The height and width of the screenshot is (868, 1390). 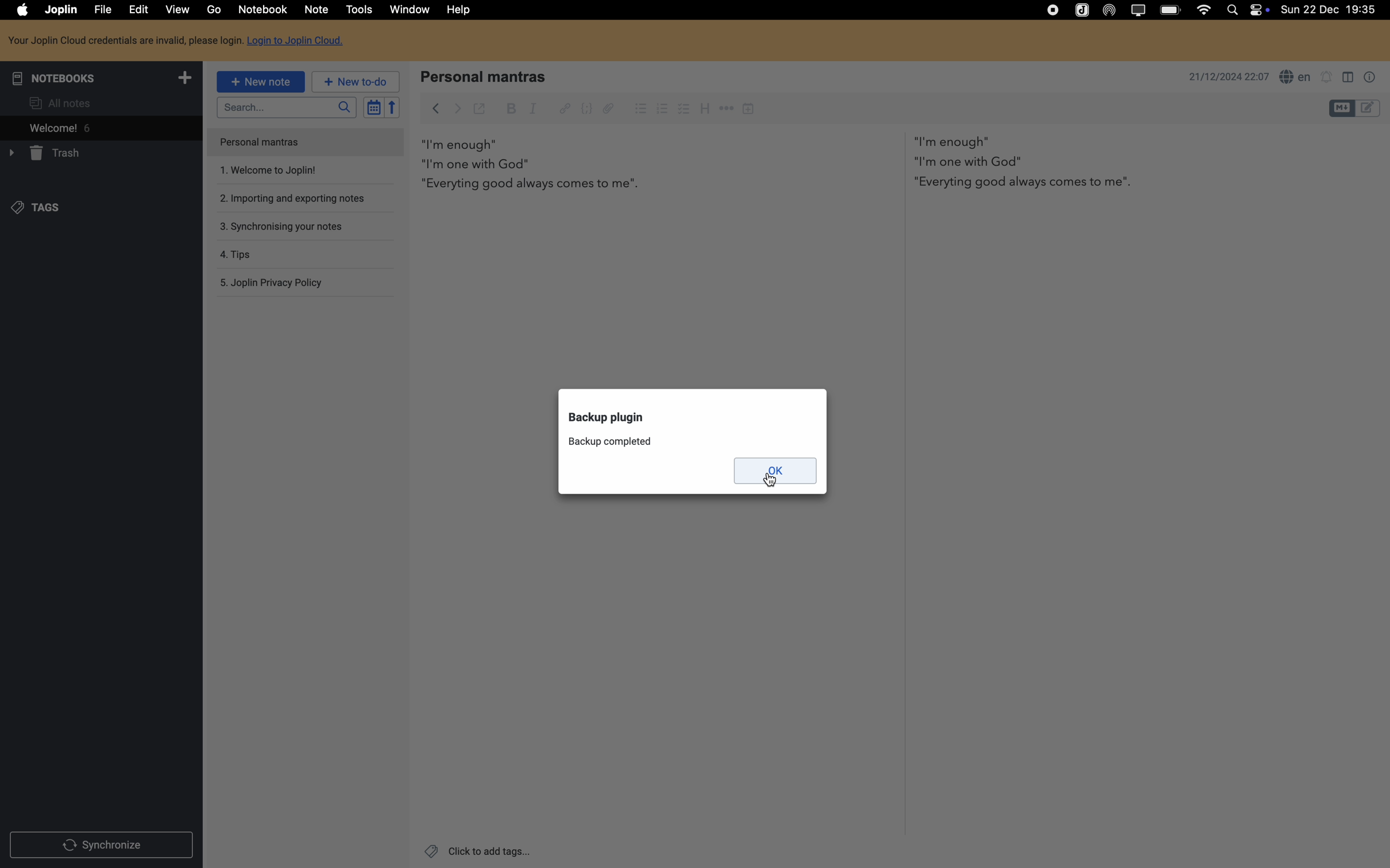 What do you see at coordinates (1260, 10) in the screenshot?
I see `controls` at bounding box center [1260, 10].